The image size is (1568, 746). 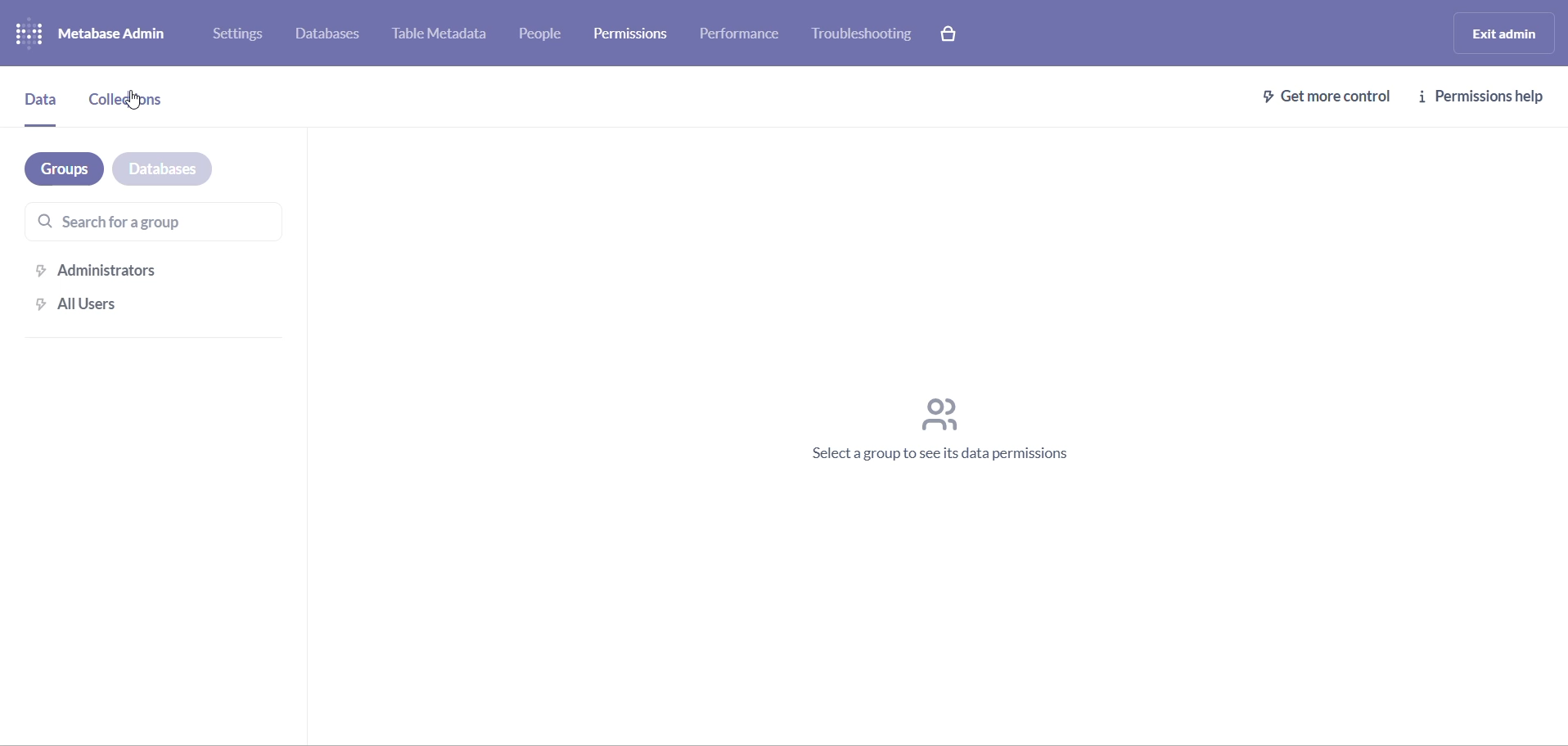 What do you see at coordinates (1485, 99) in the screenshot?
I see `permissions help` at bounding box center [1485, 99].